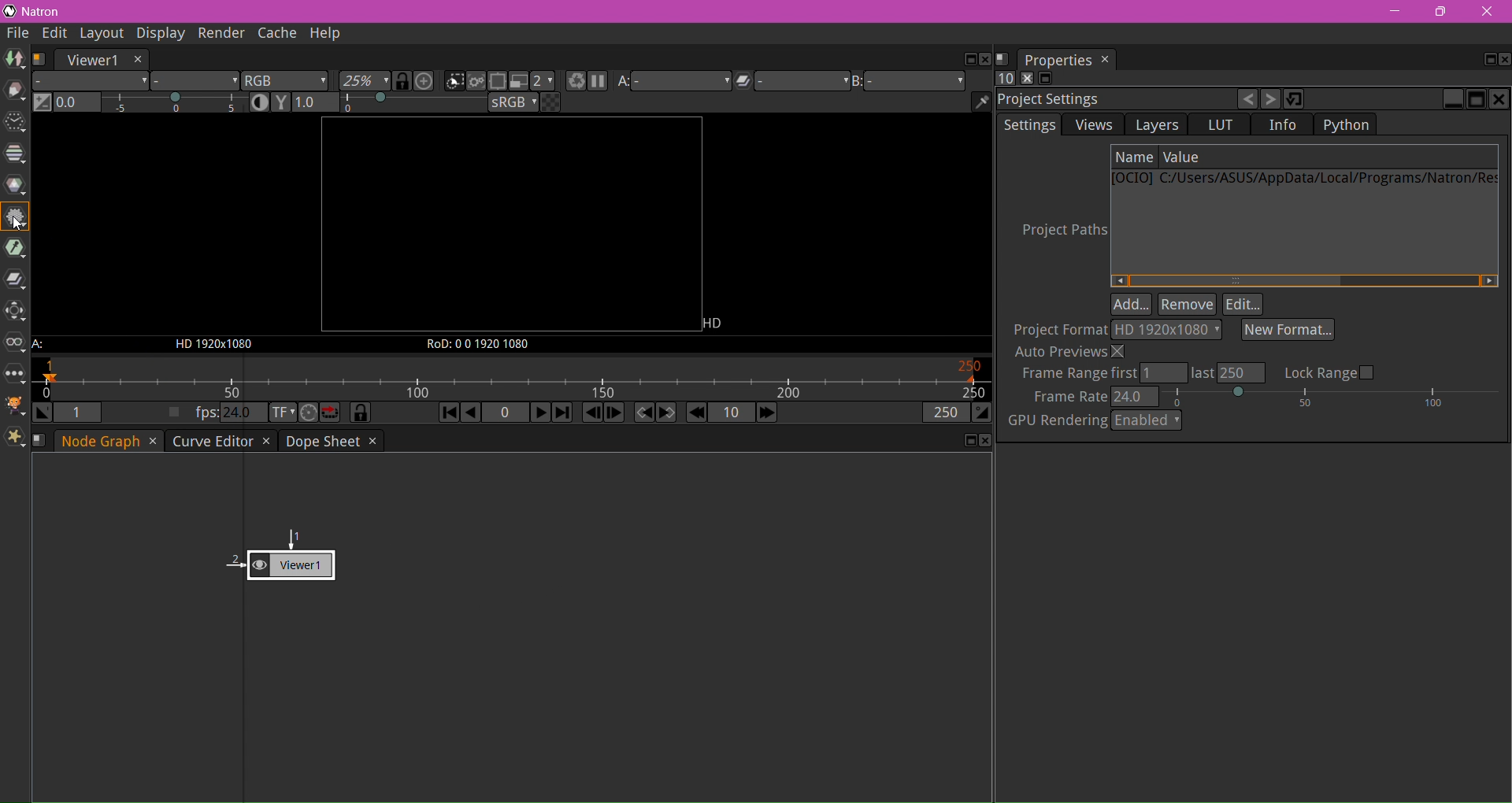 The width and height of the screenshot is (1512, 803). What do you see at coordinates (371, 441) in the screenshot?
I see `Close Tab` at bounding box center [371, 441].